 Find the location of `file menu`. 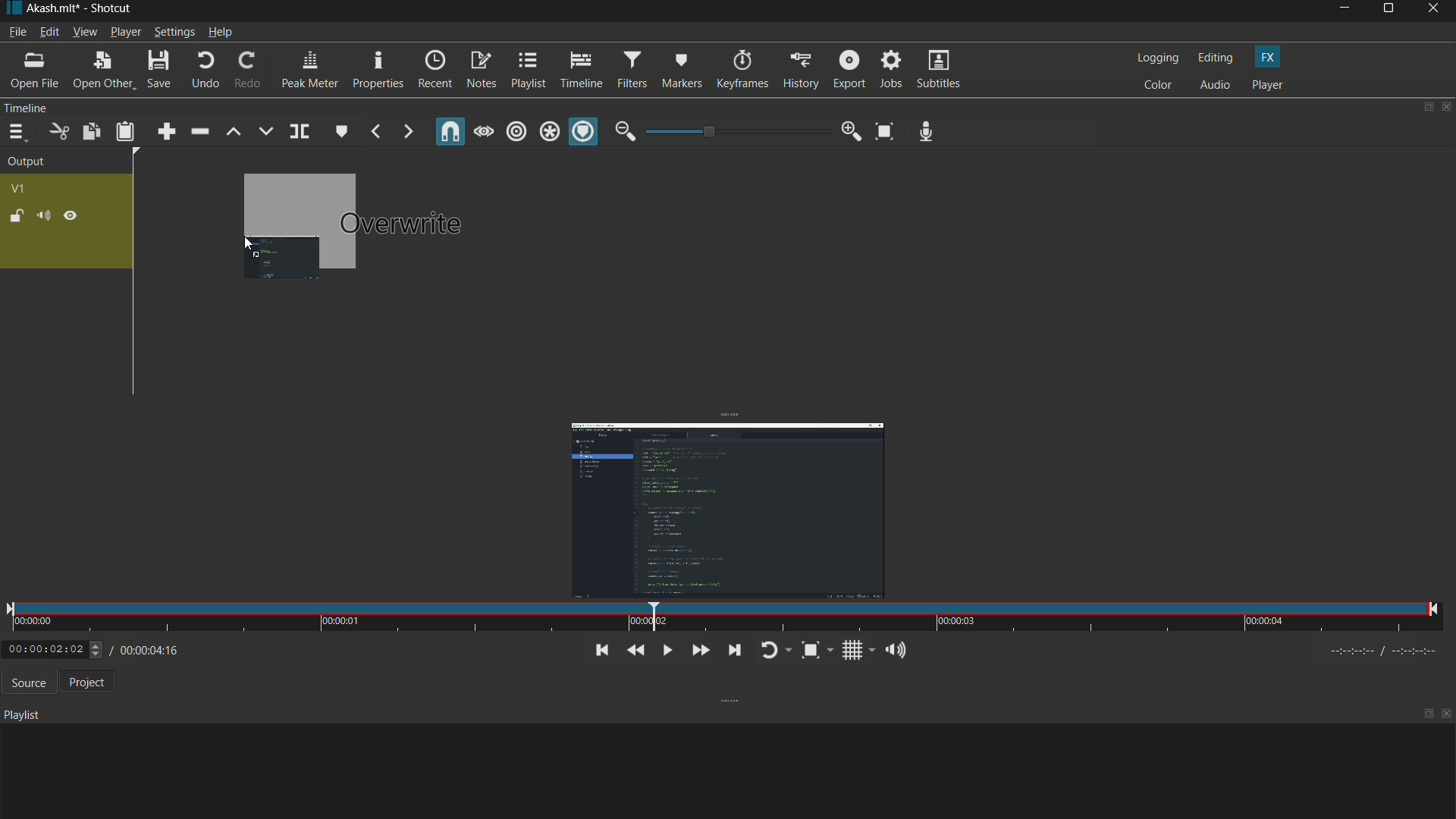

file menu is located at coordinates (17, 32).